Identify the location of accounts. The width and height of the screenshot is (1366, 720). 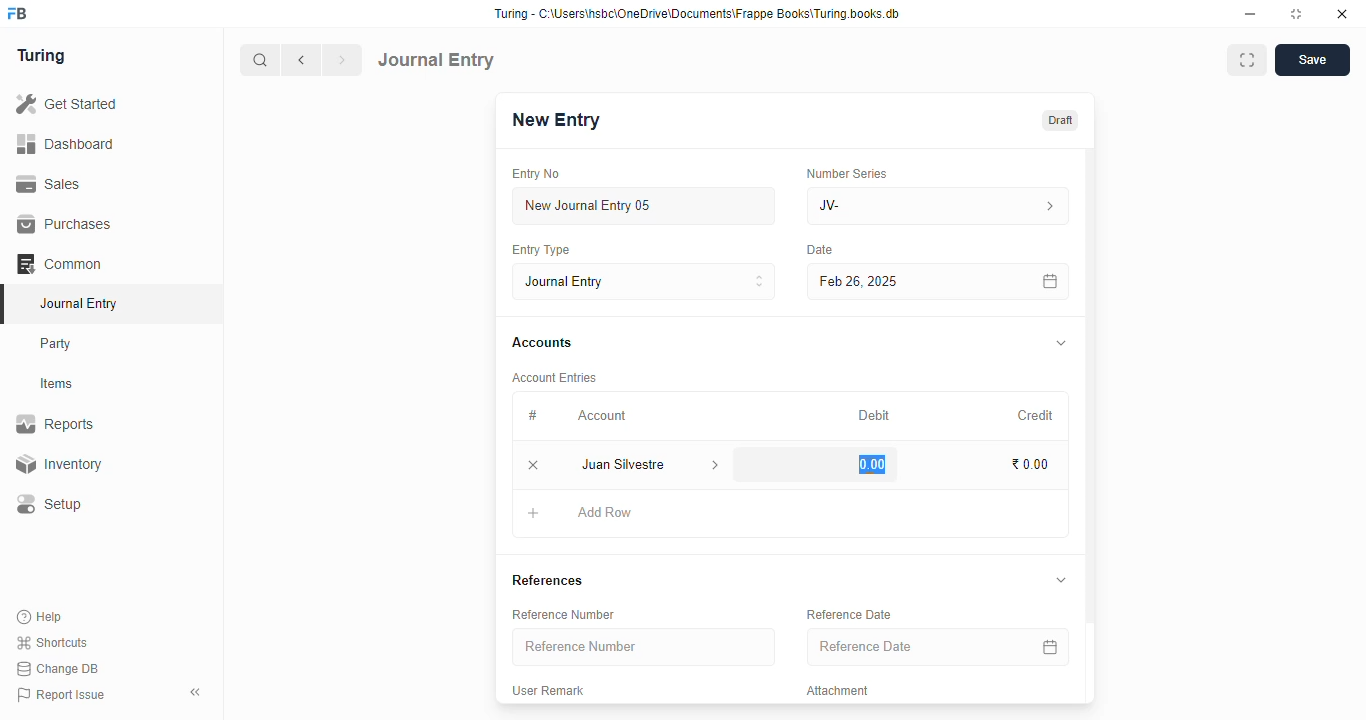
(542, 343).